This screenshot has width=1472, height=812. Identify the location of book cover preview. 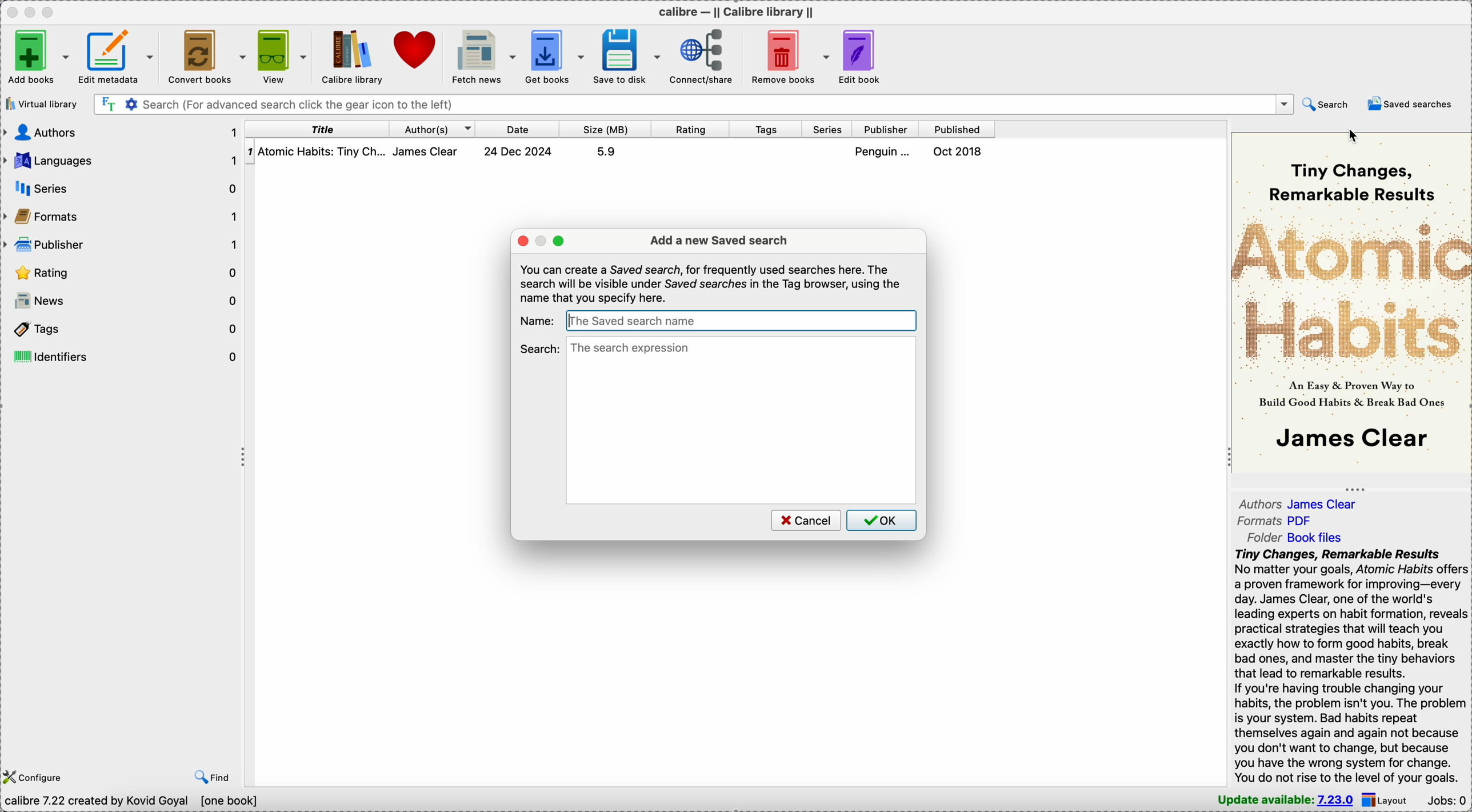
(1350, 301).